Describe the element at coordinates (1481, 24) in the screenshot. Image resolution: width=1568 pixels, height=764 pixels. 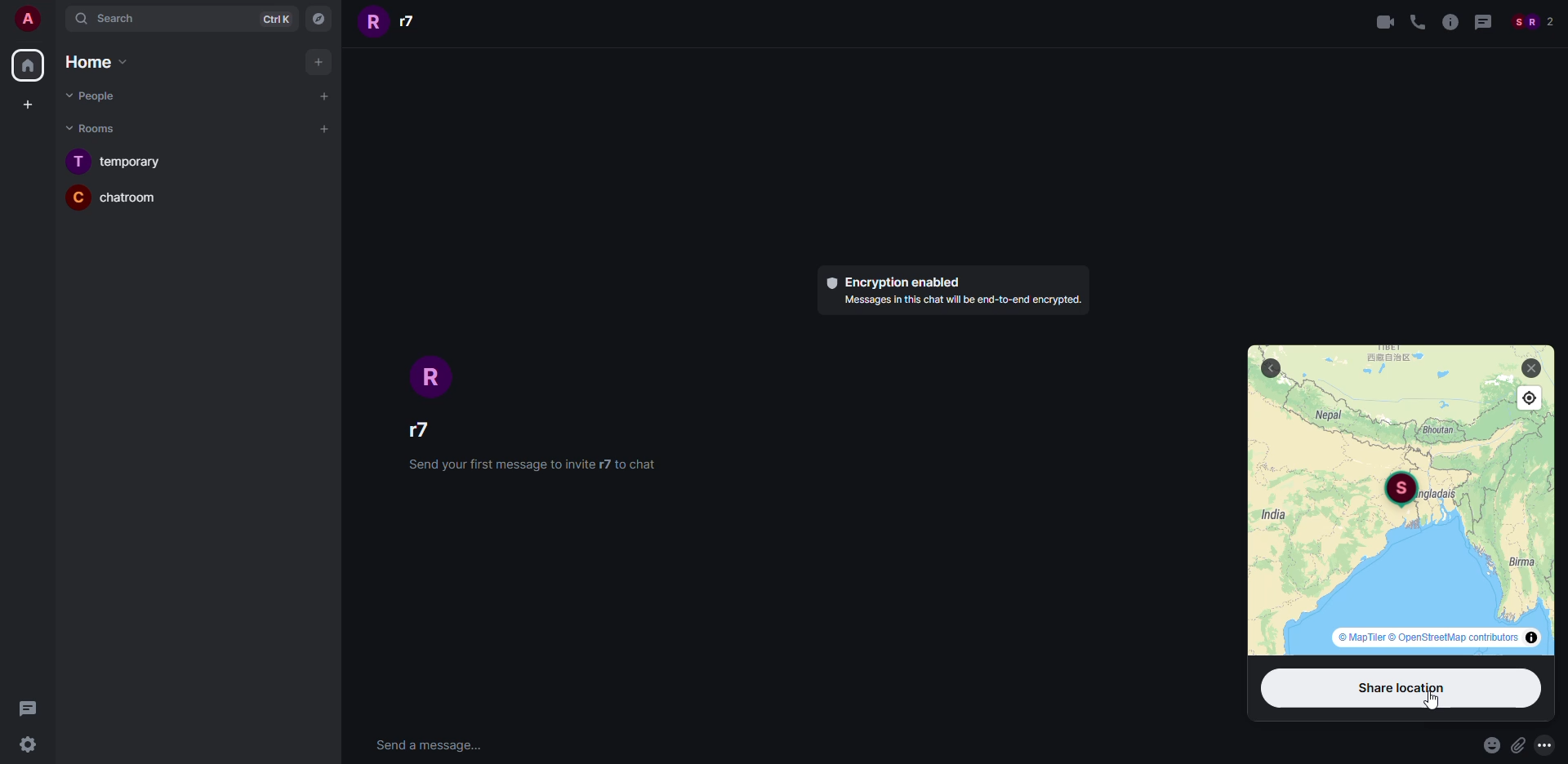
I see `Message` at that location.